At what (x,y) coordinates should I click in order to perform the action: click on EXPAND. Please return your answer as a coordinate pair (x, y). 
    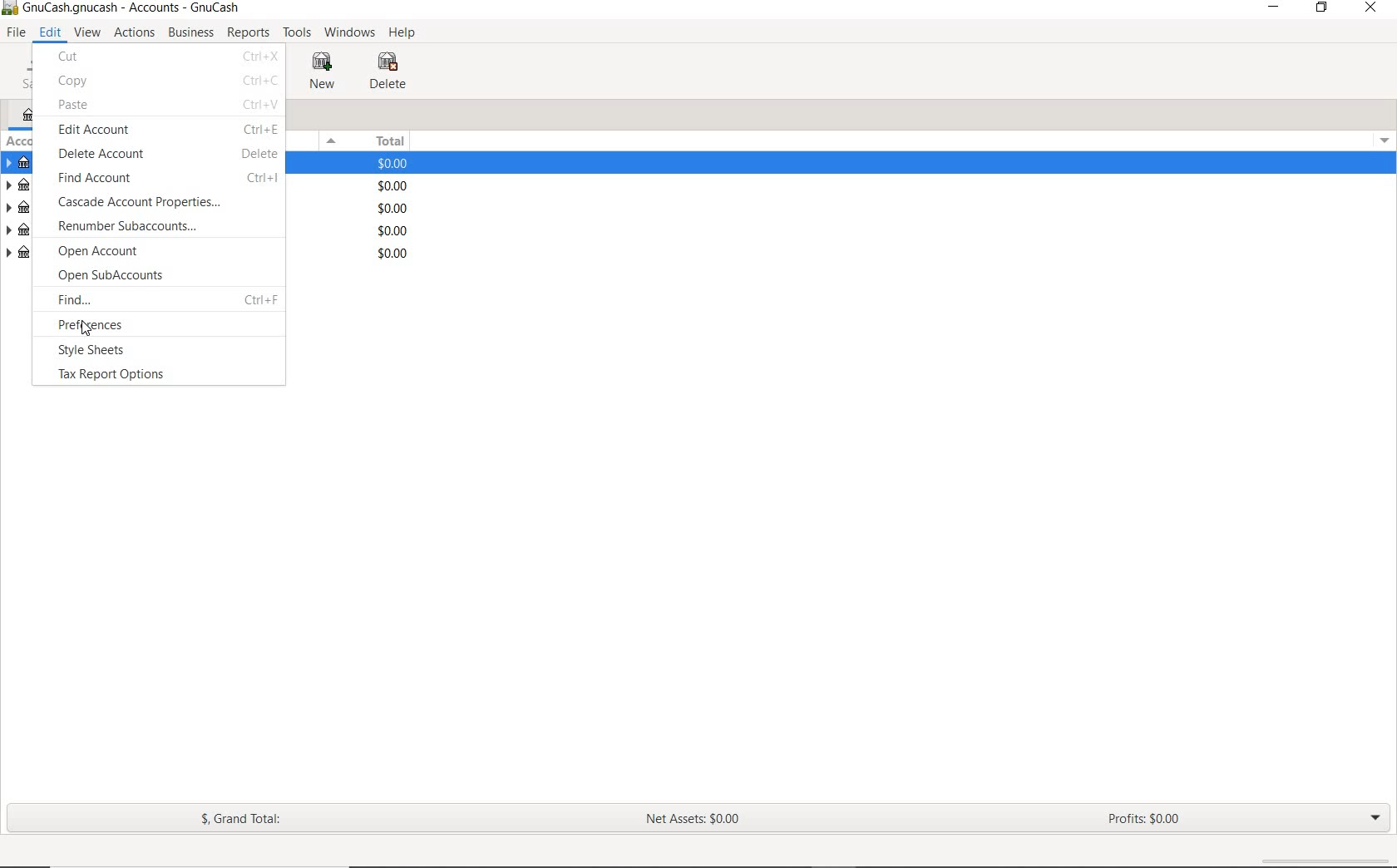
    Looking at the image, I should click on (1374, 816).